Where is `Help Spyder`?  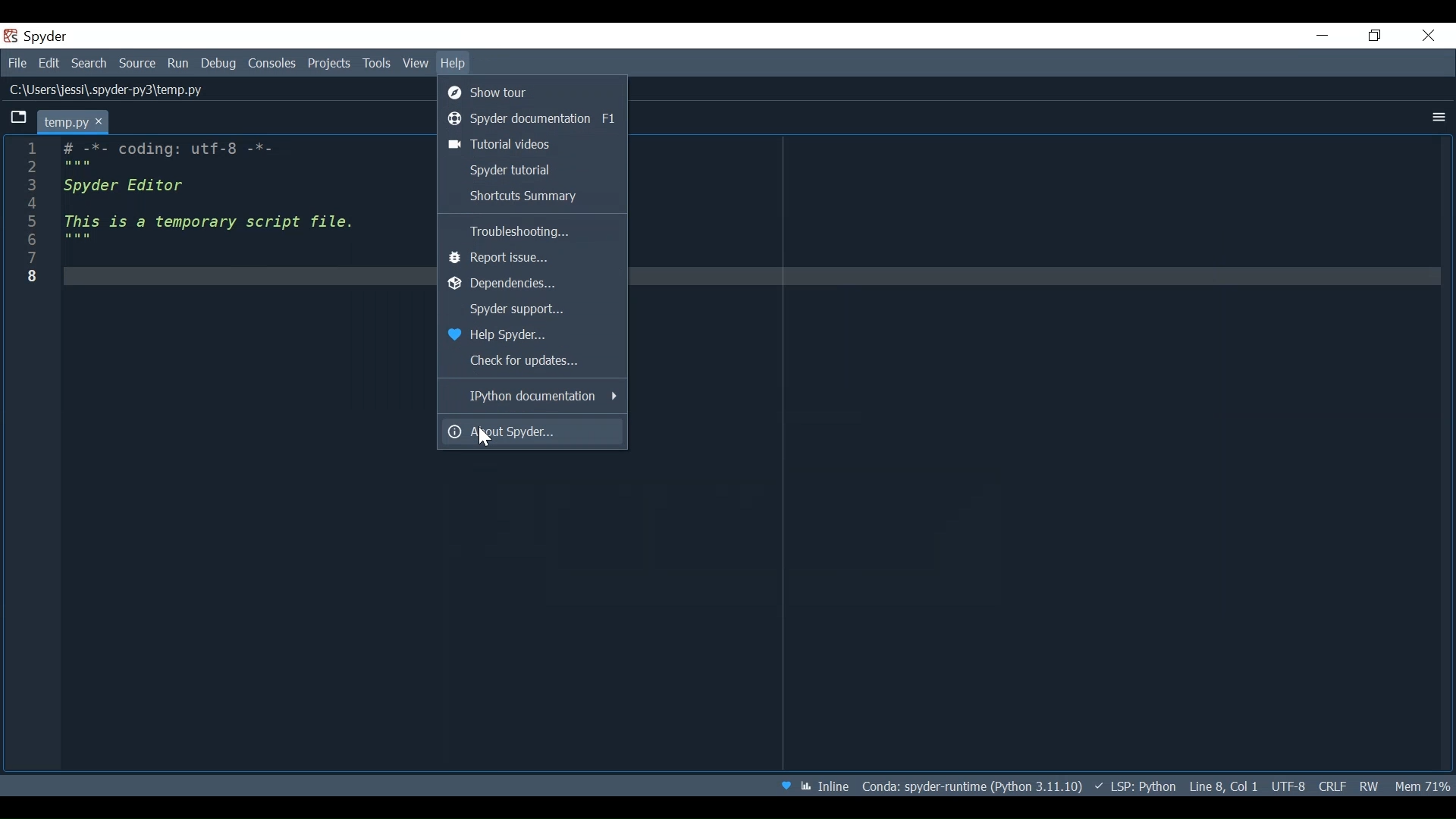 Help Spyder is located at coordinates (786, 786).